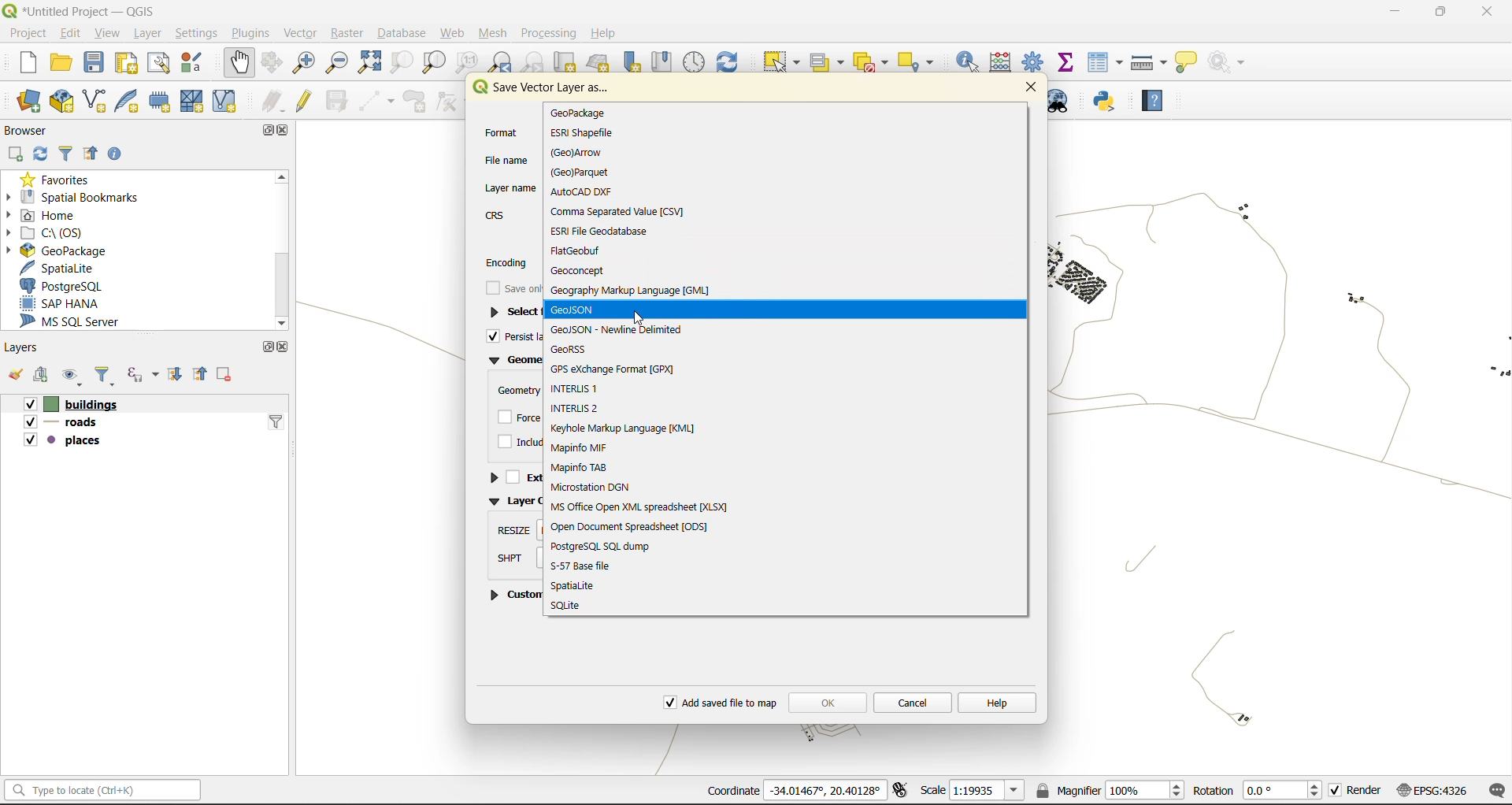  Describe the element at coordinates (912, 701) in the screenshot. I see `cancel` at that location.